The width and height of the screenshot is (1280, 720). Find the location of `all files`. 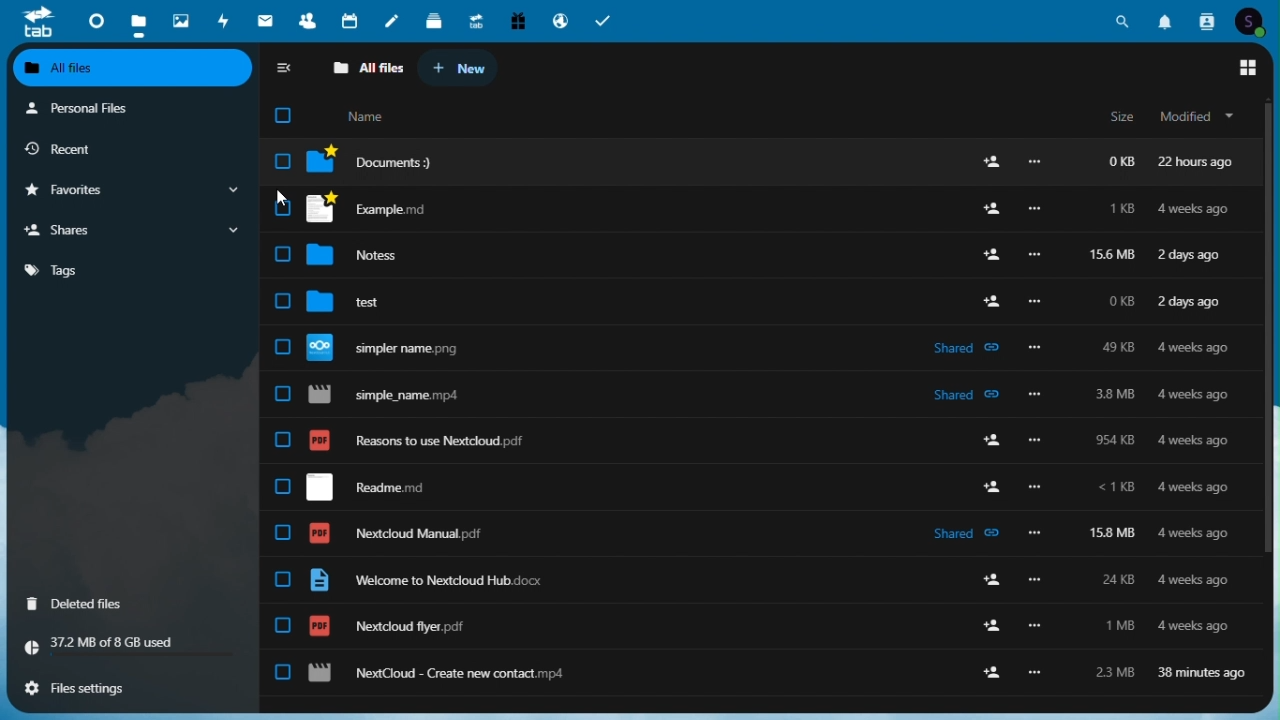

all files is located at coordinates (367, 68).